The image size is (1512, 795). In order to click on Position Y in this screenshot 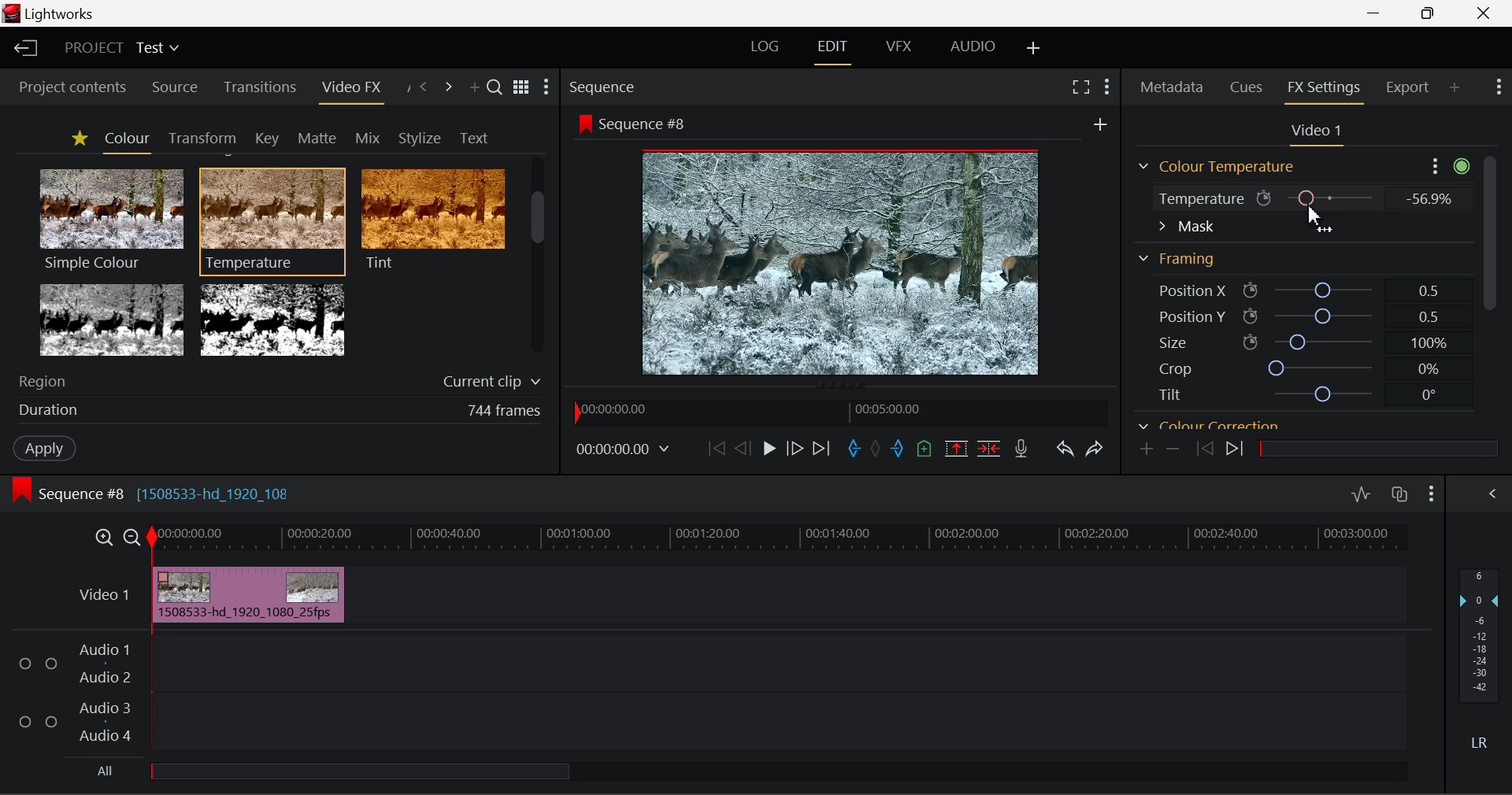, I will do `click(1183, 316)`.